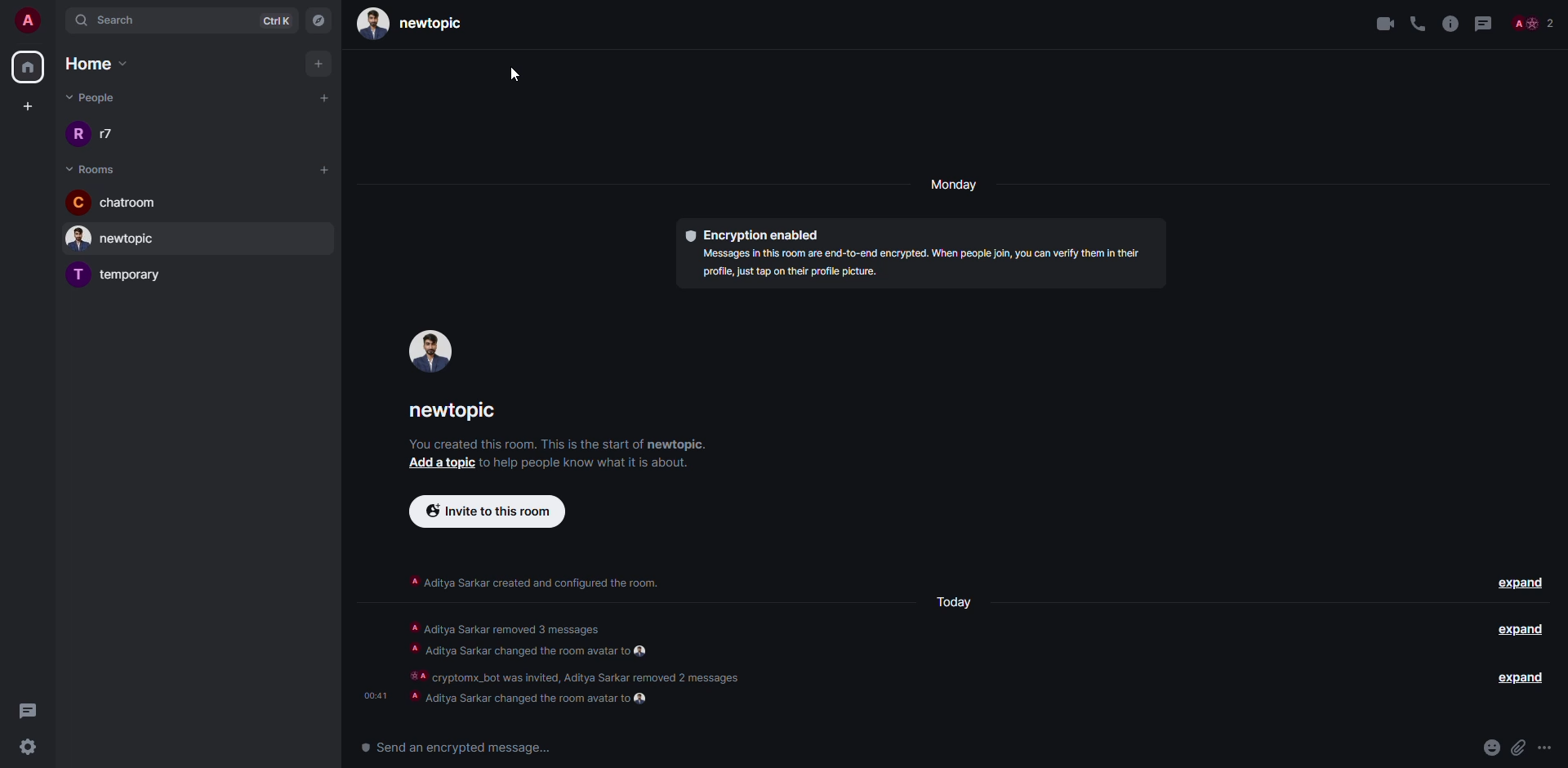 This screenshot has height=768, width=1568. I want to click on expand, so click(1522, 678).